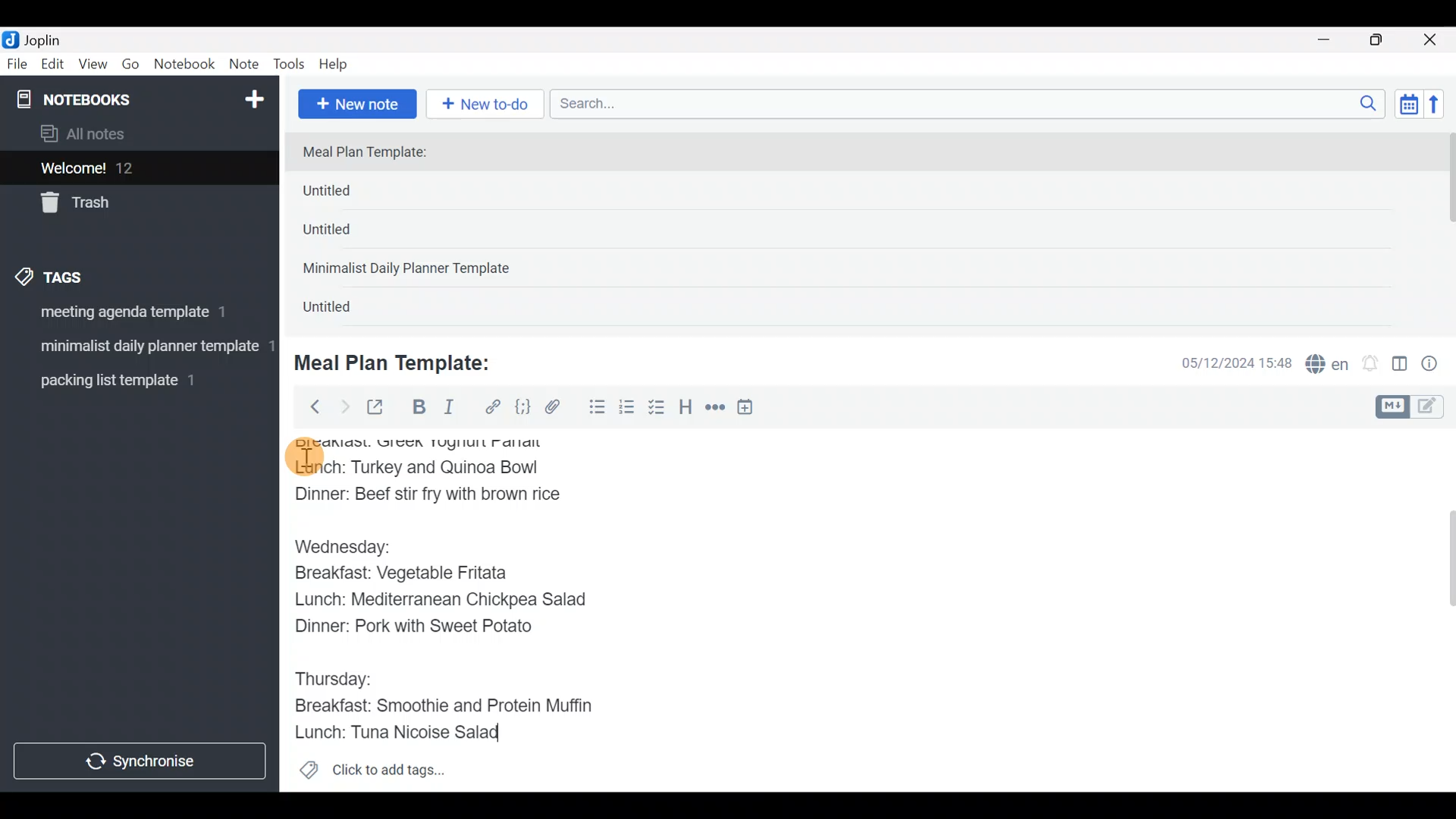  I want to click on scroll bar, so click(1446, 229).